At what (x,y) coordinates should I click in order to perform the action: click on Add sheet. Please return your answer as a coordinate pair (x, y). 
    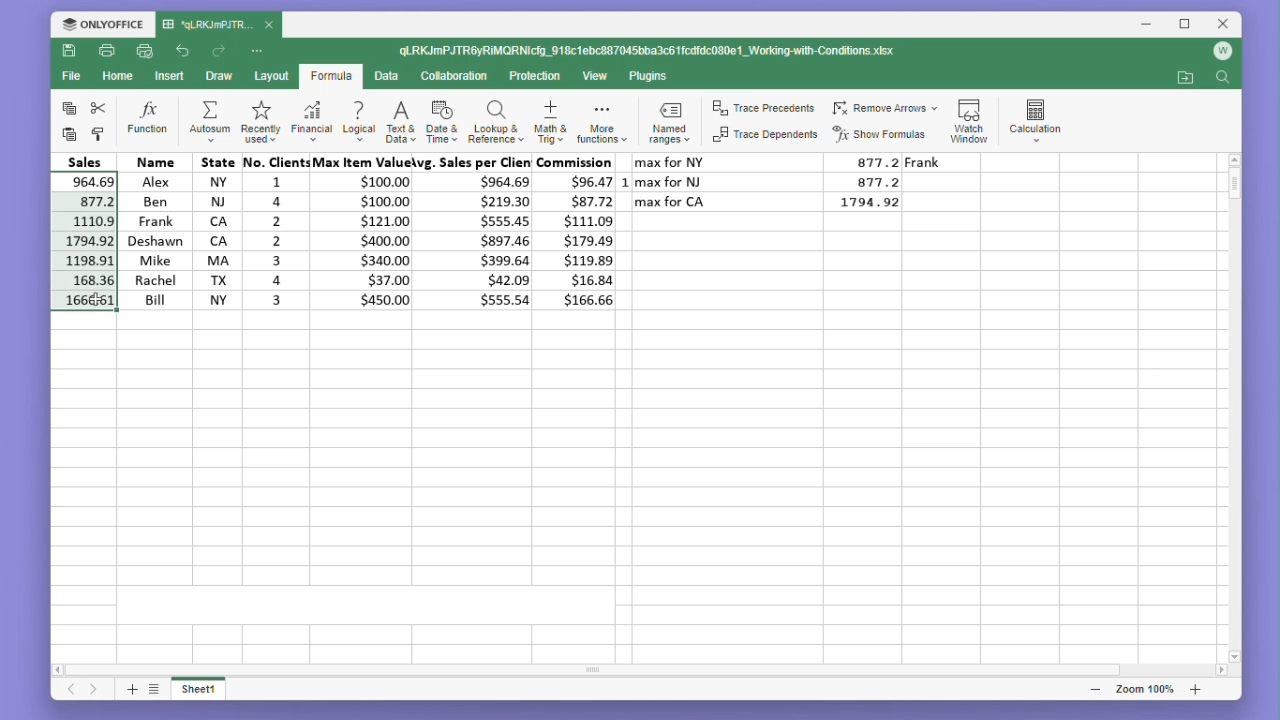
    Looking at the image, I should click on (130, 691).